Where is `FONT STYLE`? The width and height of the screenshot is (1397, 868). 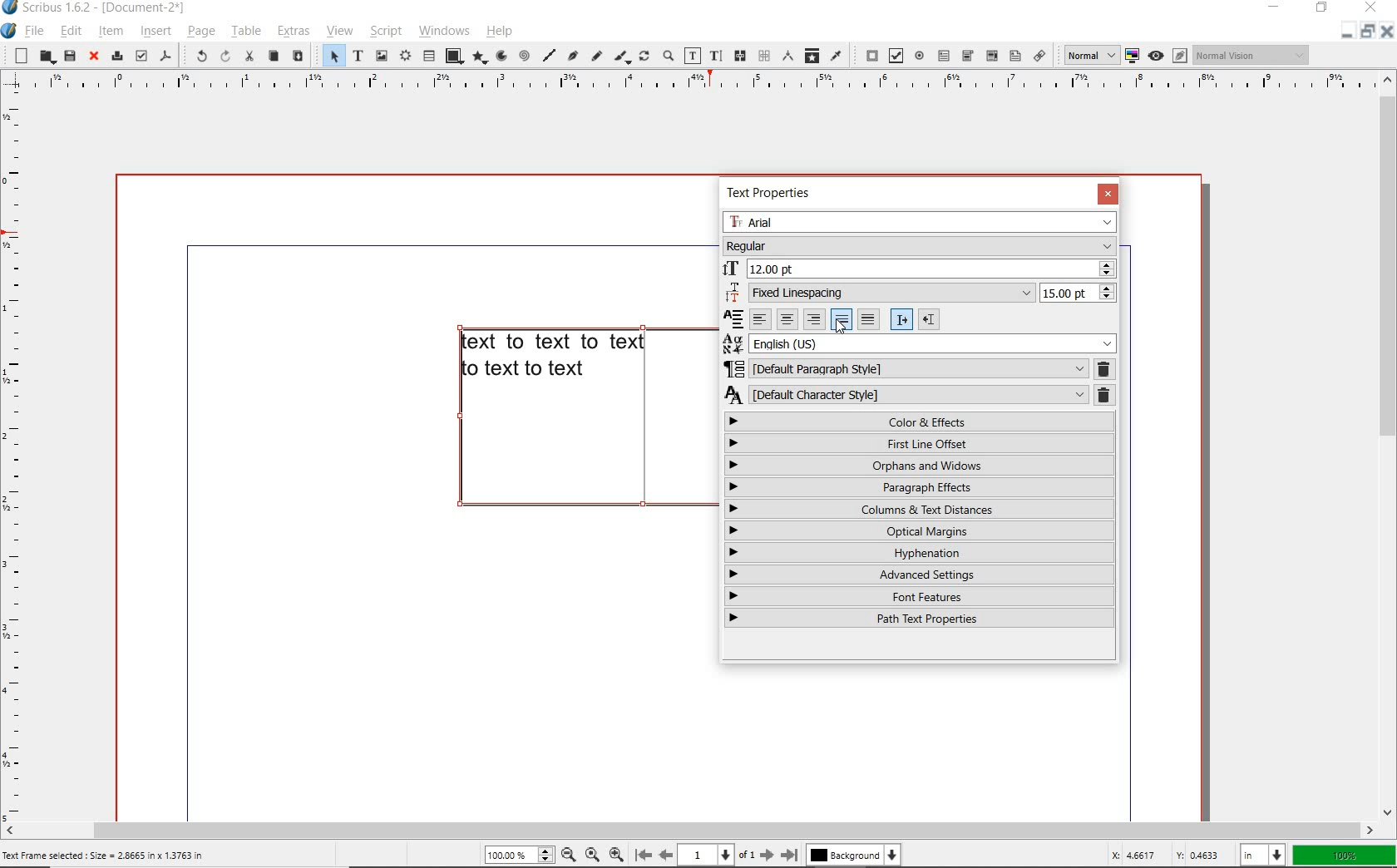 FONT STYLE is located at coordinates (920, 245).